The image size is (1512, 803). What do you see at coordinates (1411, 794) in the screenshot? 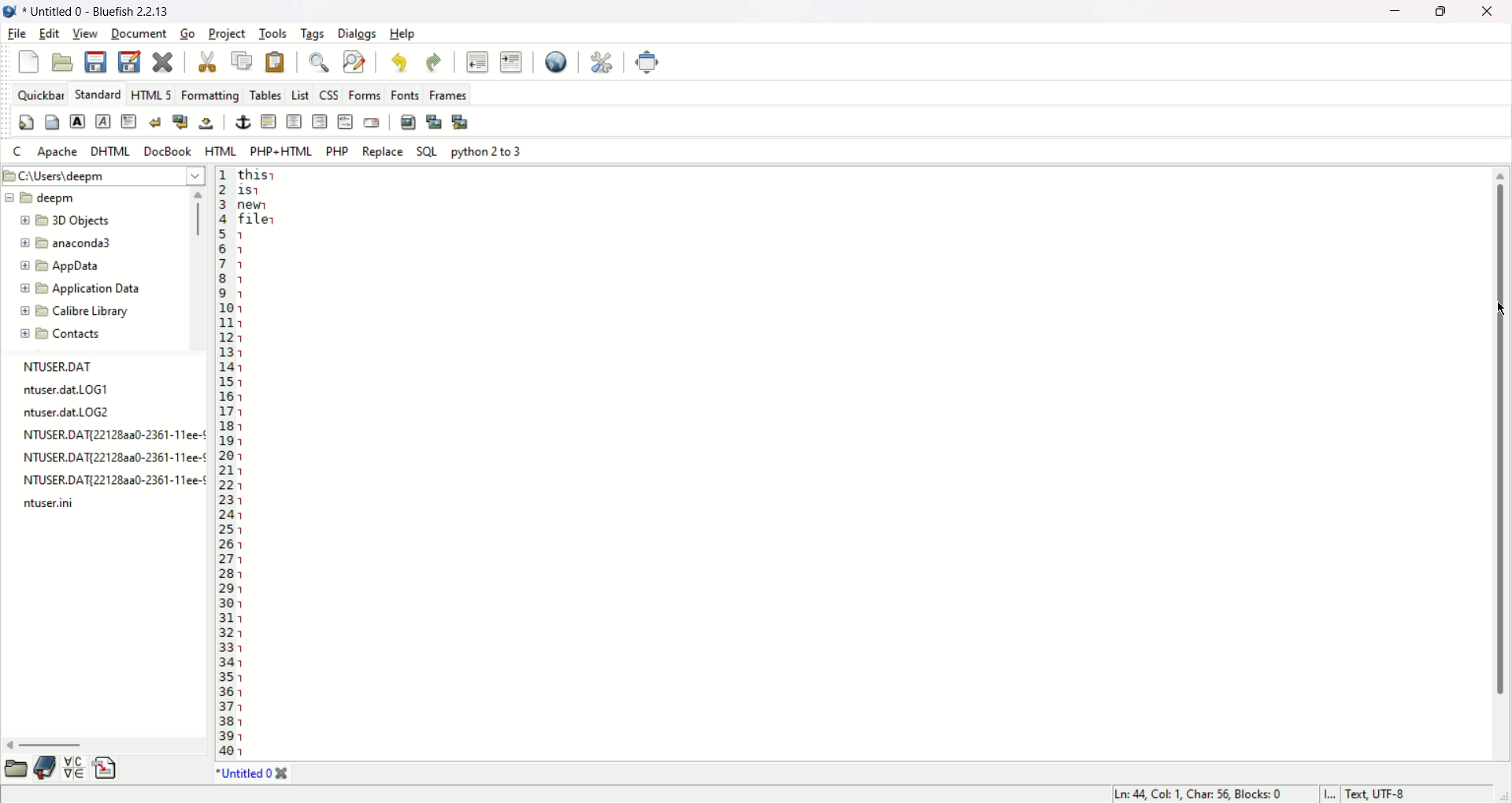
I see `character encoding` at bounding box center [1411, 794].